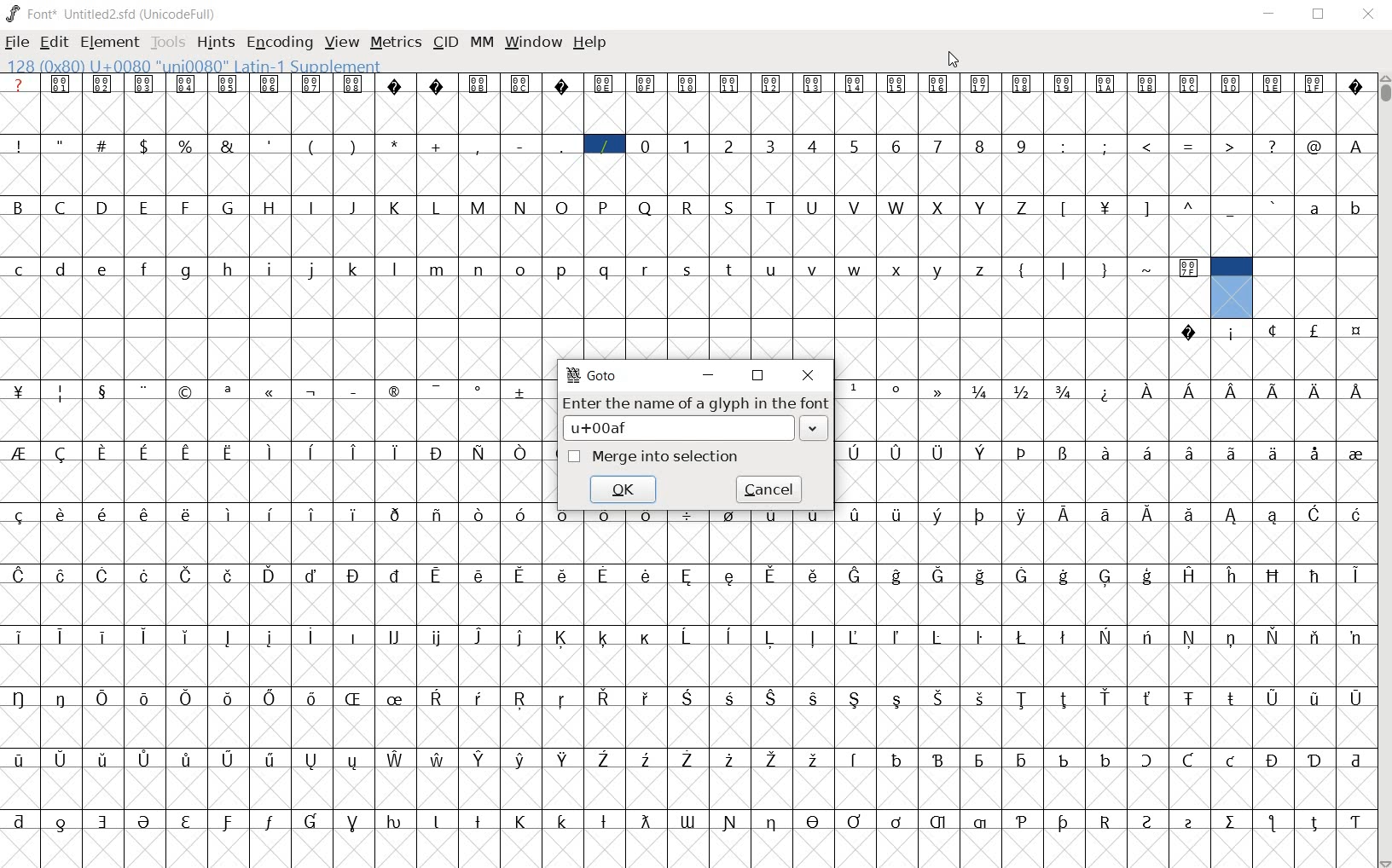 The image size is (1392, 868). Describe the element at coordinates (1232, 208) in the screenshot. I see `_` at that location.